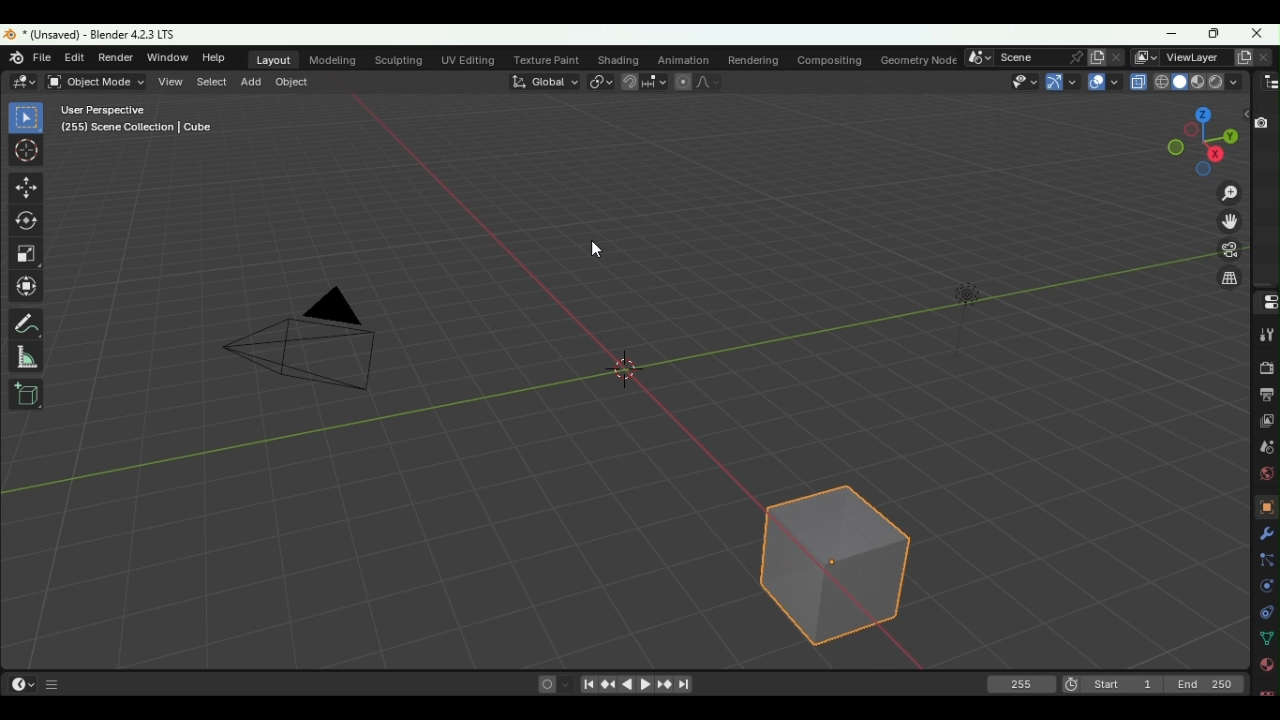 This screenshot has height=720, width=1280. I want to click on Editor type, so click(1270, 82).